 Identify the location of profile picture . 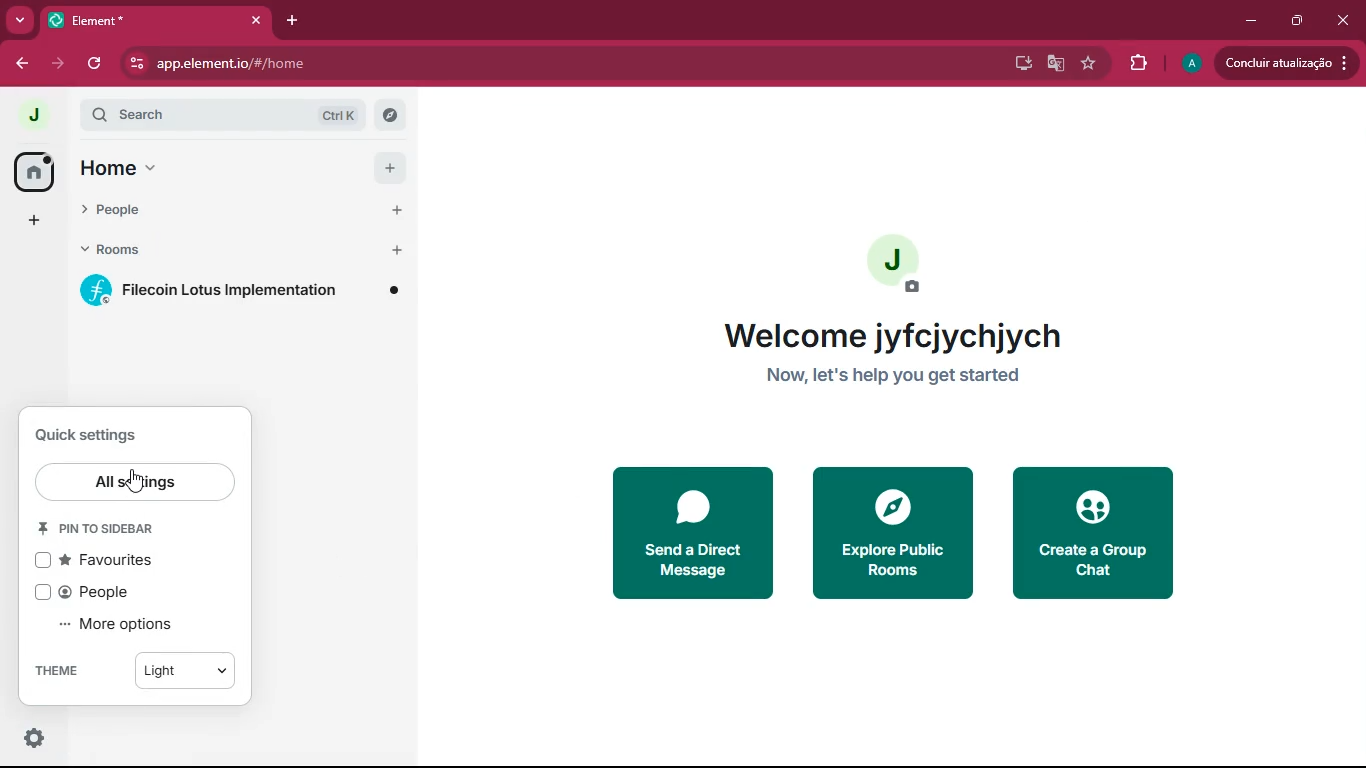
(896, 268).